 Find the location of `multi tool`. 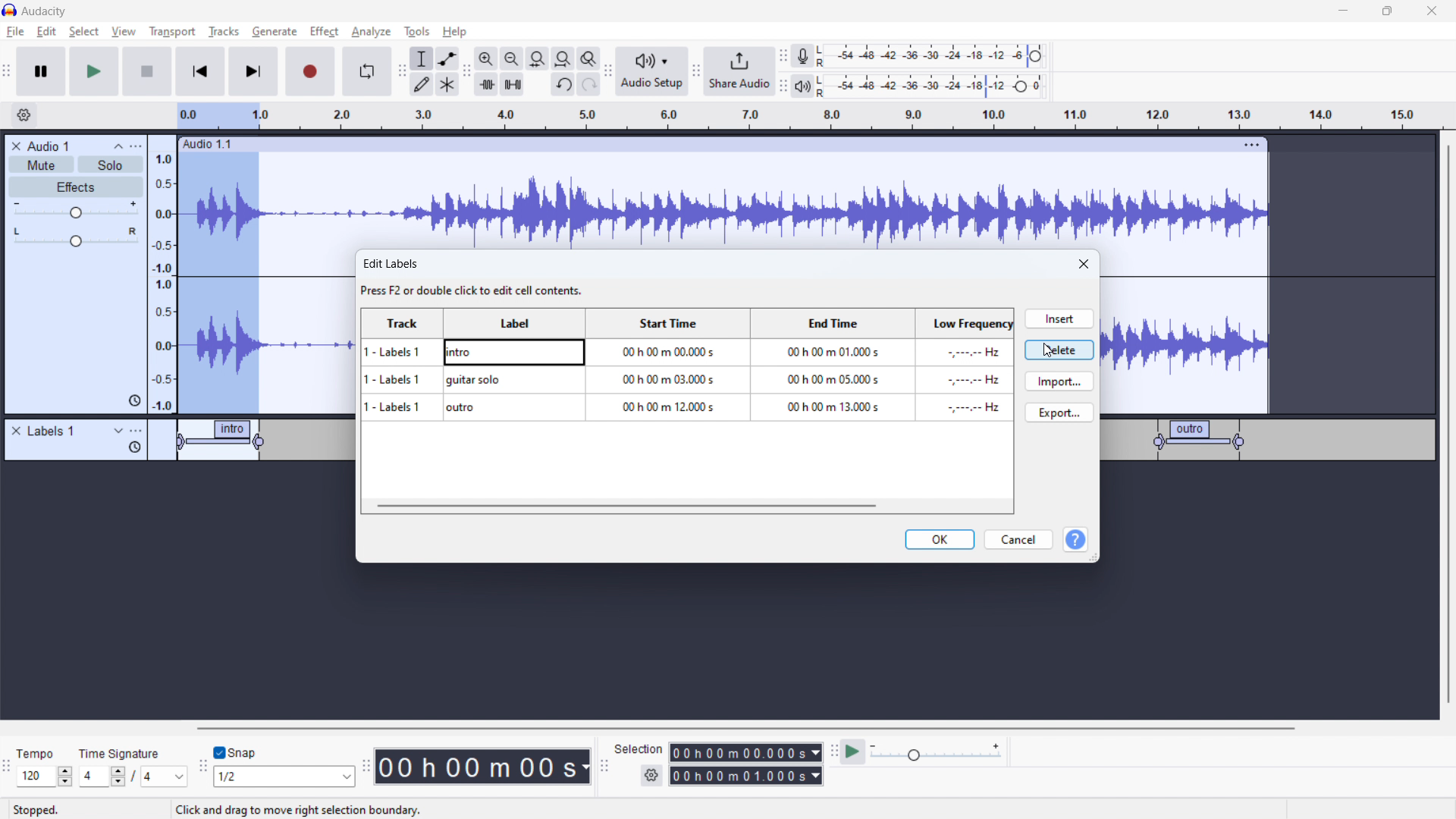

multi tool is located at coordinates (448, 84).